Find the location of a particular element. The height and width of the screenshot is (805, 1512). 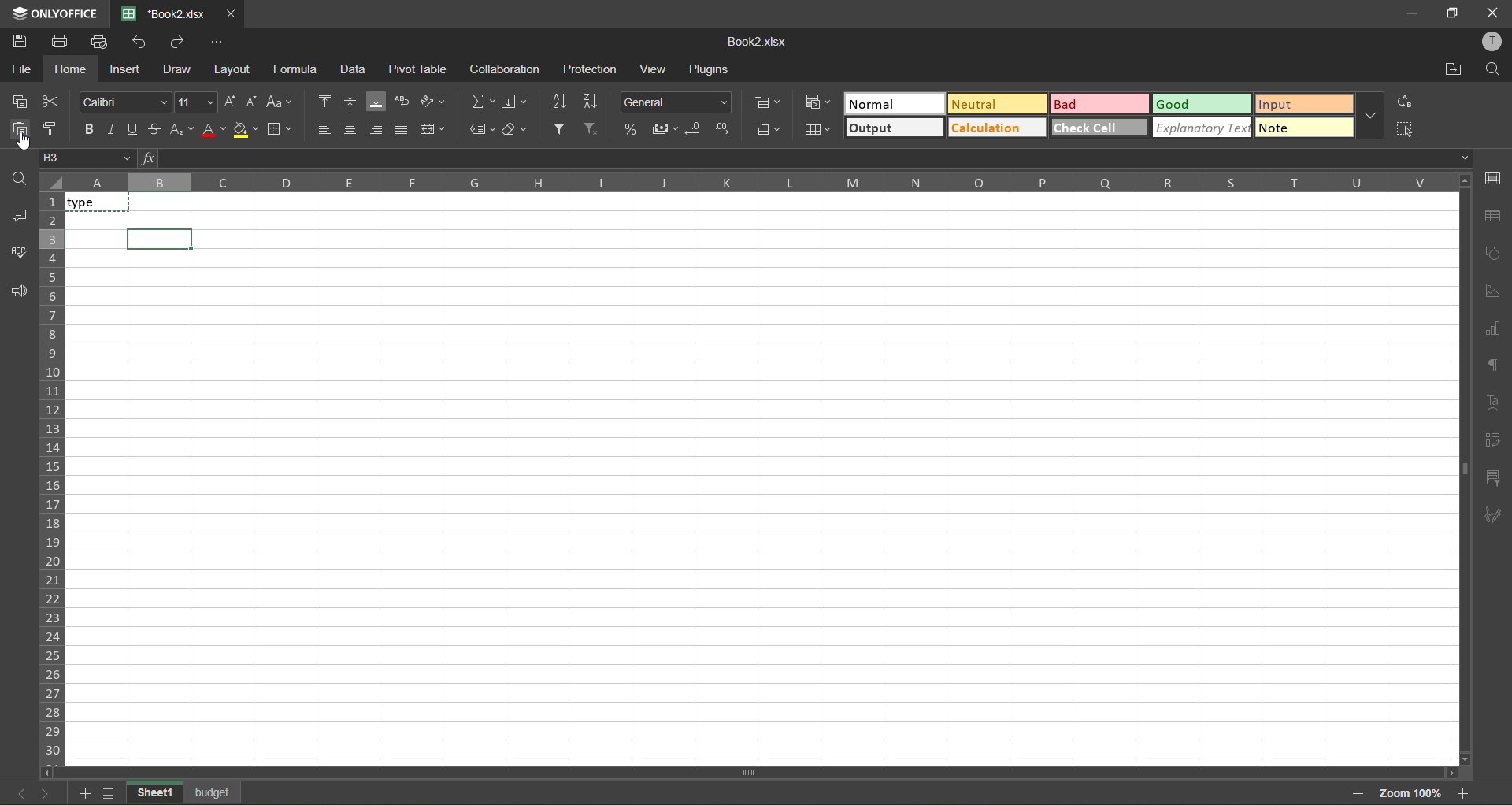

neutral is located at coordinates (996, 104).